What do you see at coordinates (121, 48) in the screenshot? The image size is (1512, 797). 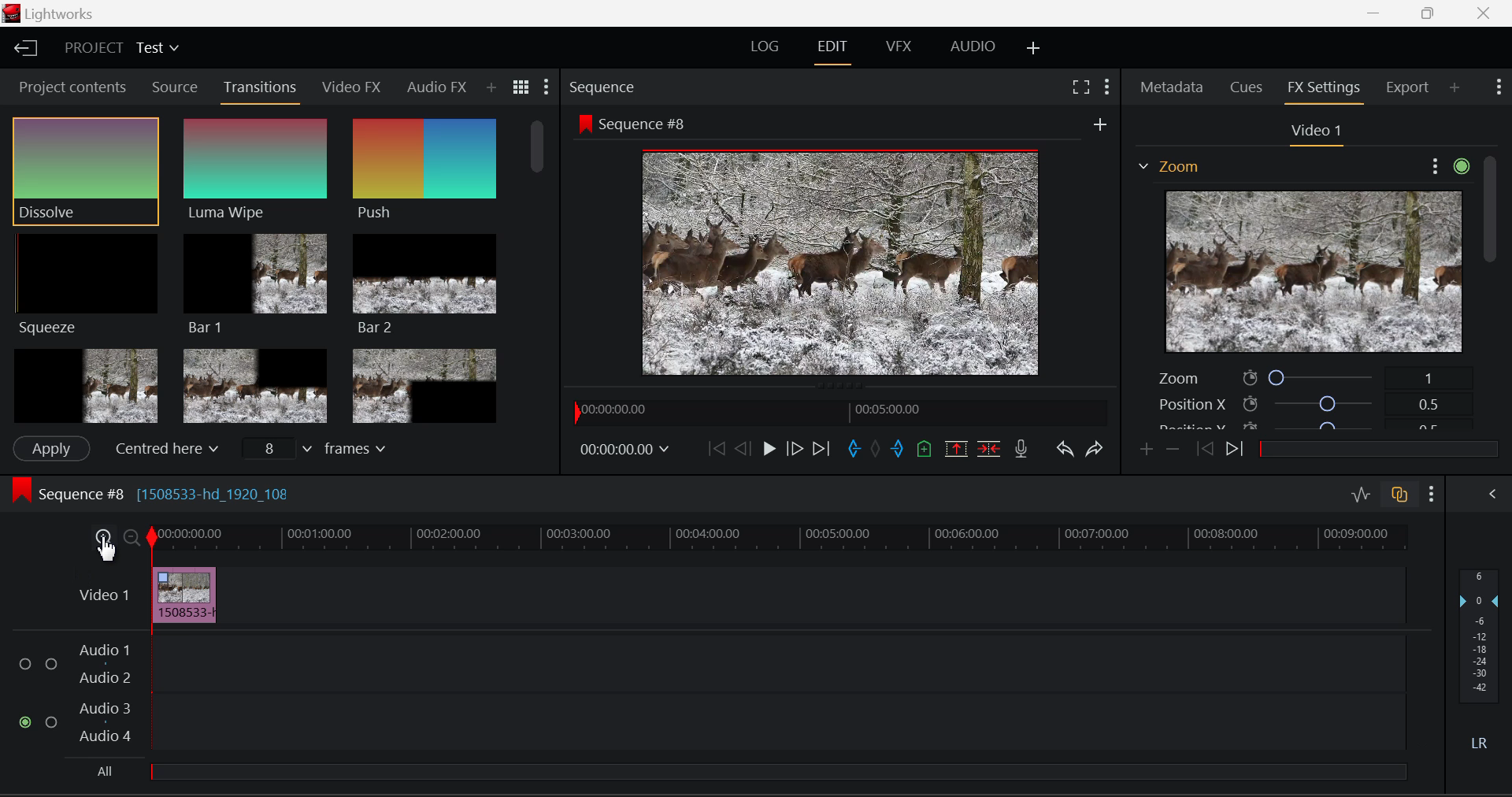 I see `Project Title` at bounding box center [121, 48].